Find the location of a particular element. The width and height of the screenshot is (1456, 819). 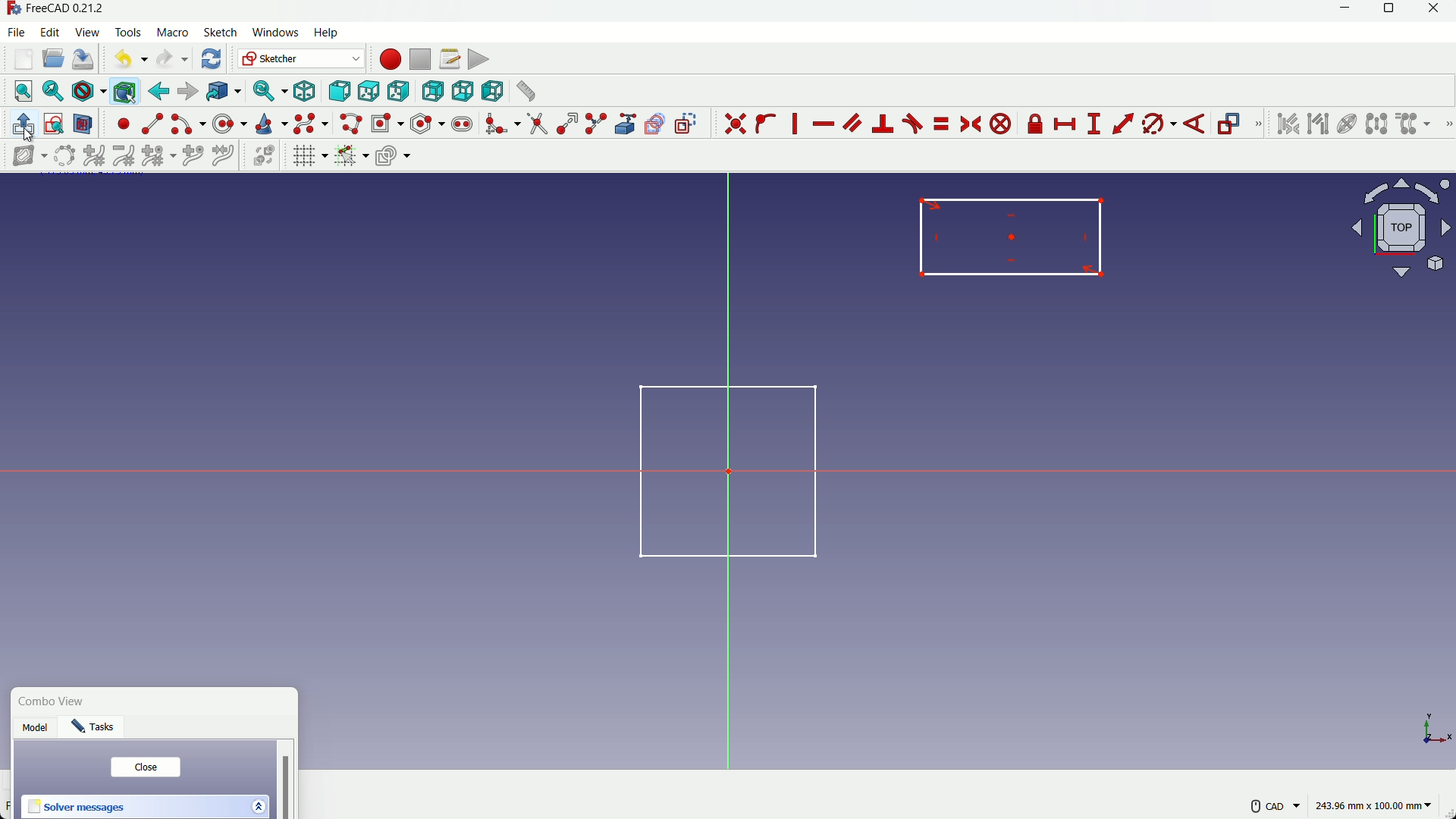

redo is located at coordinates (172, 59).